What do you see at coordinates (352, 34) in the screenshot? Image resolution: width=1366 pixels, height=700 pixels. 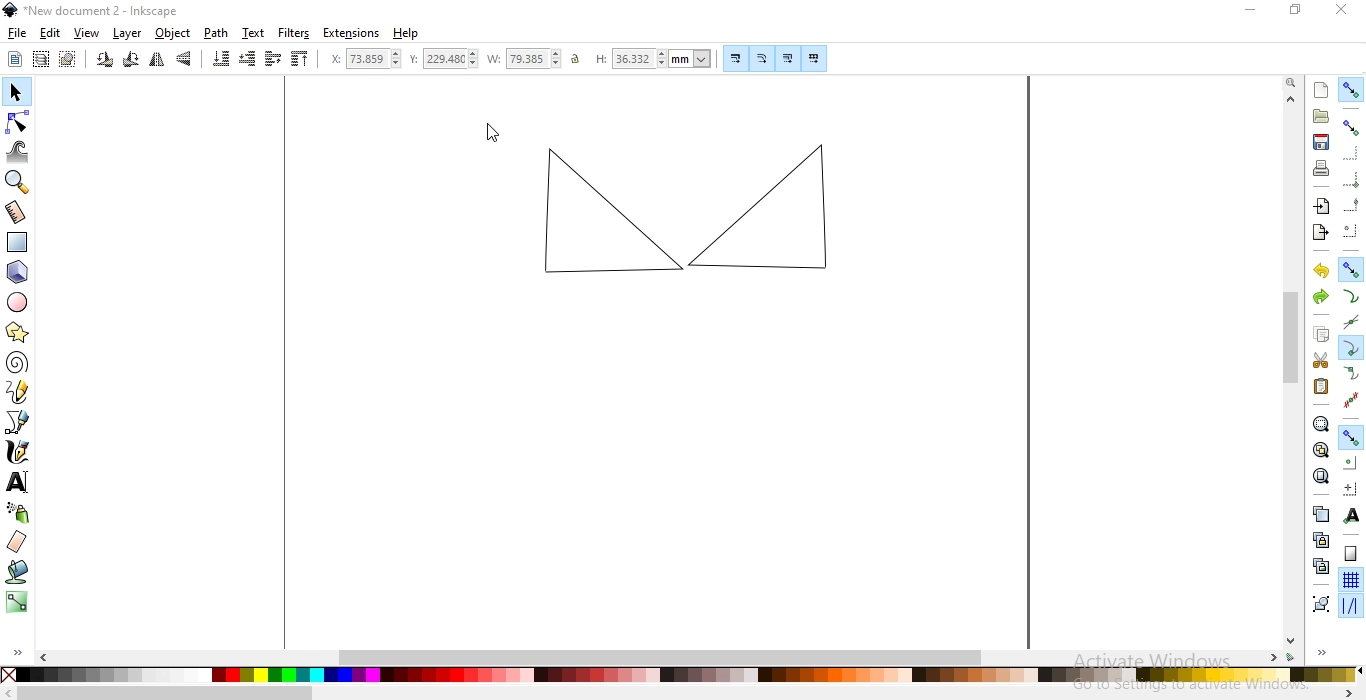 I see `extensions` at bounding box center [352, 34].